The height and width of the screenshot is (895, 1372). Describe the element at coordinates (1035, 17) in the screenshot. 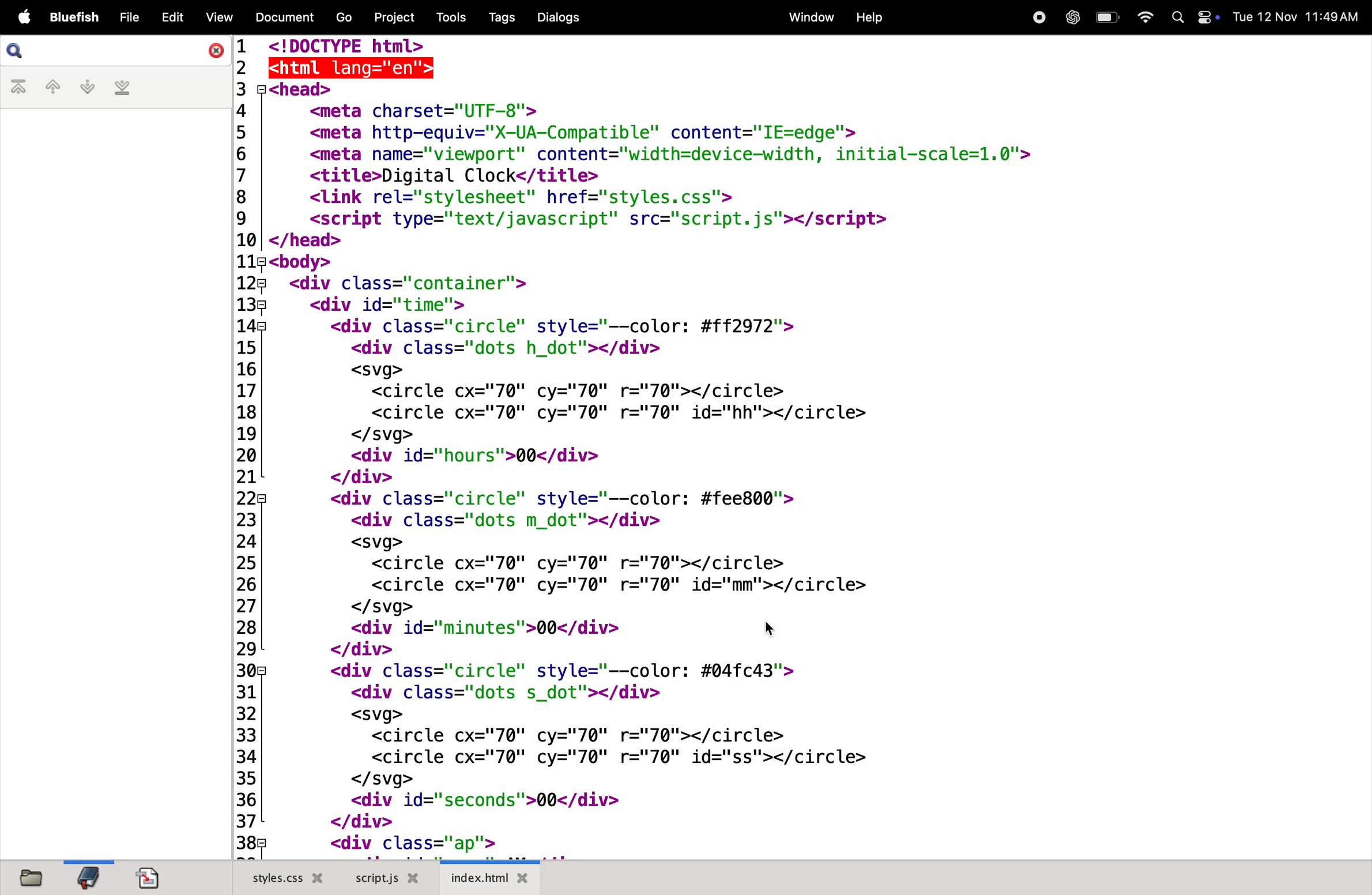

I see `record` at that location.